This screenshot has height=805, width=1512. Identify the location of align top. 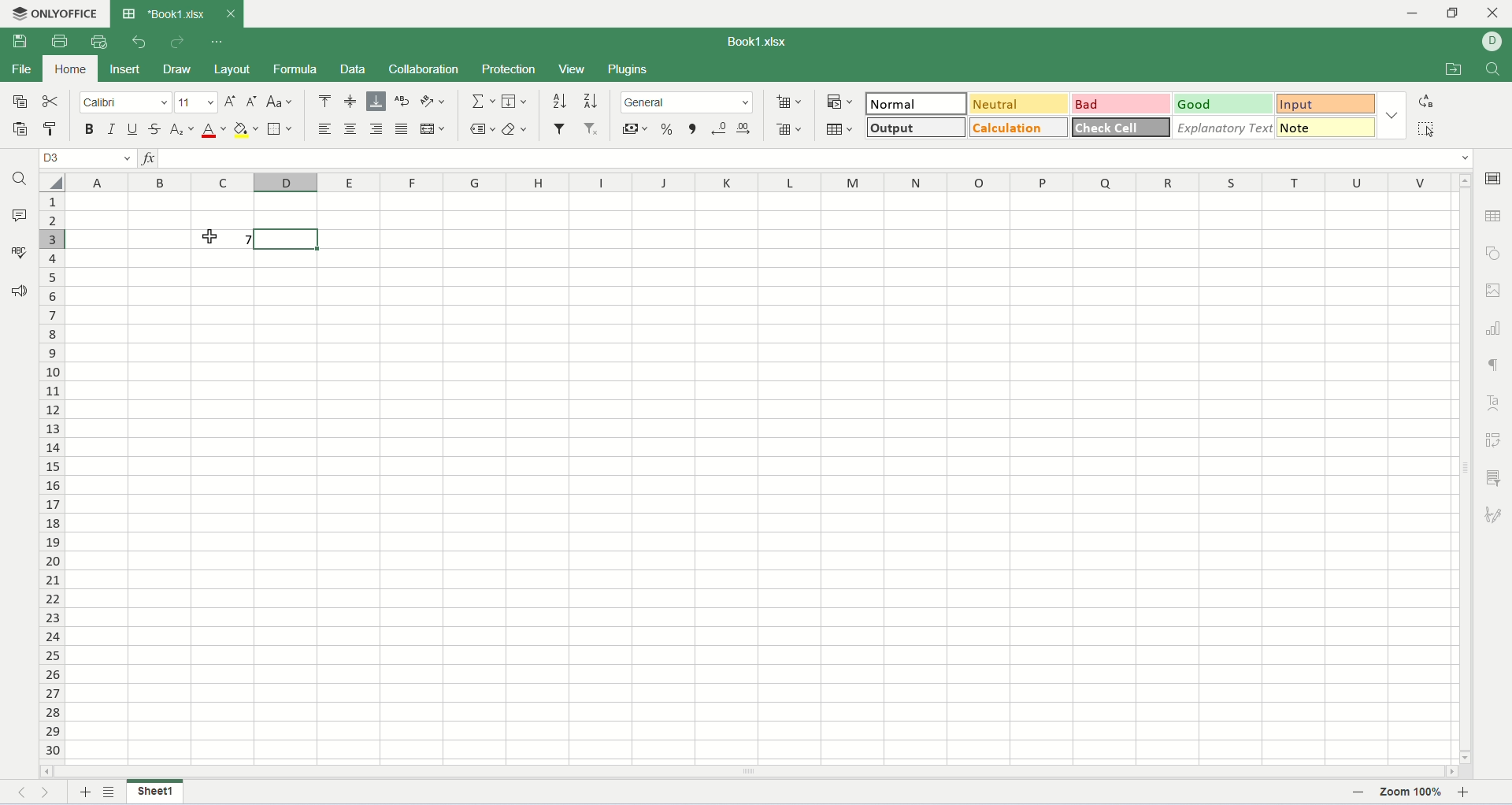
(324, 101).